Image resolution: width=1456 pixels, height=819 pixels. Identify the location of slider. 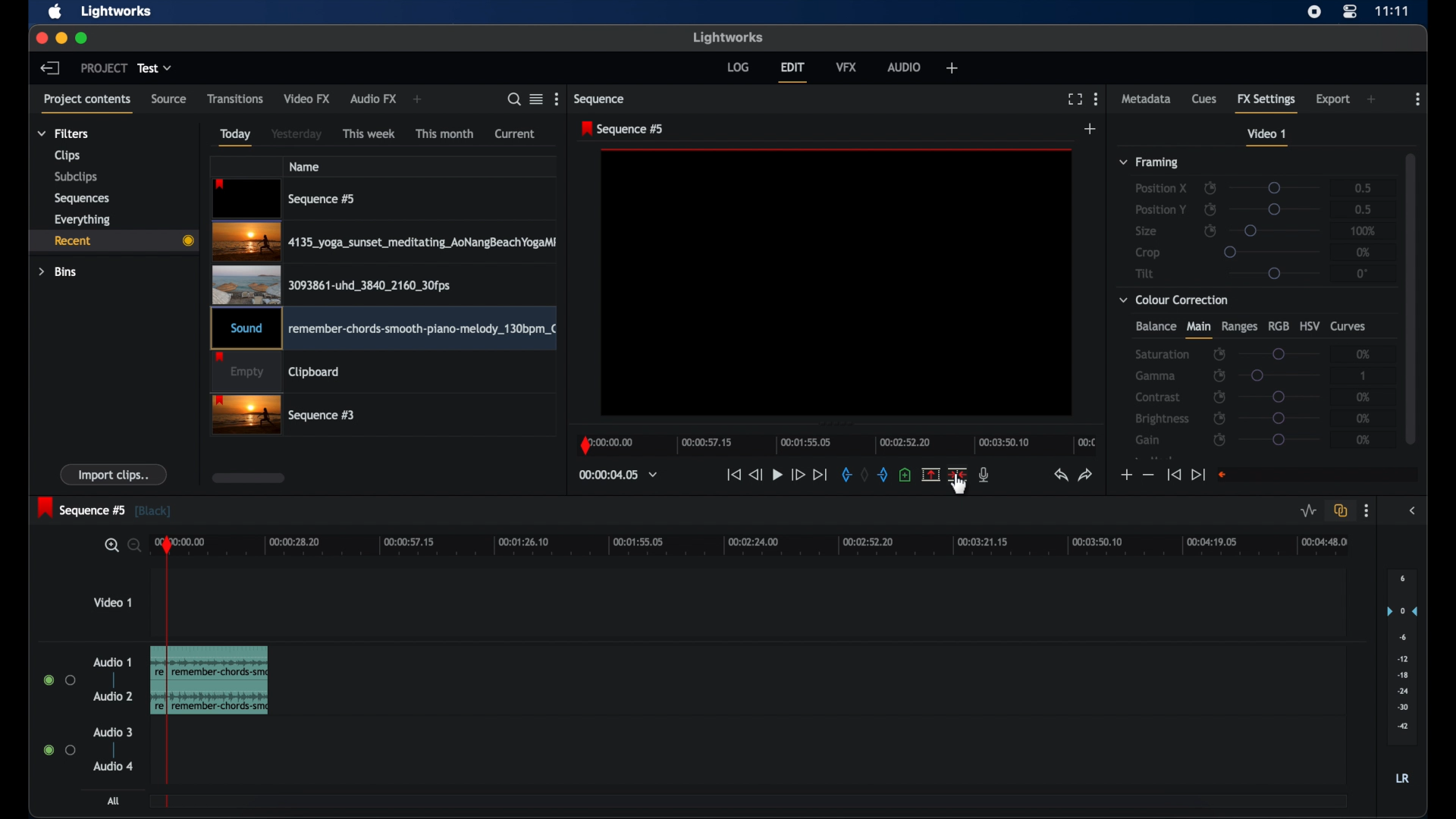
(1279, 353).